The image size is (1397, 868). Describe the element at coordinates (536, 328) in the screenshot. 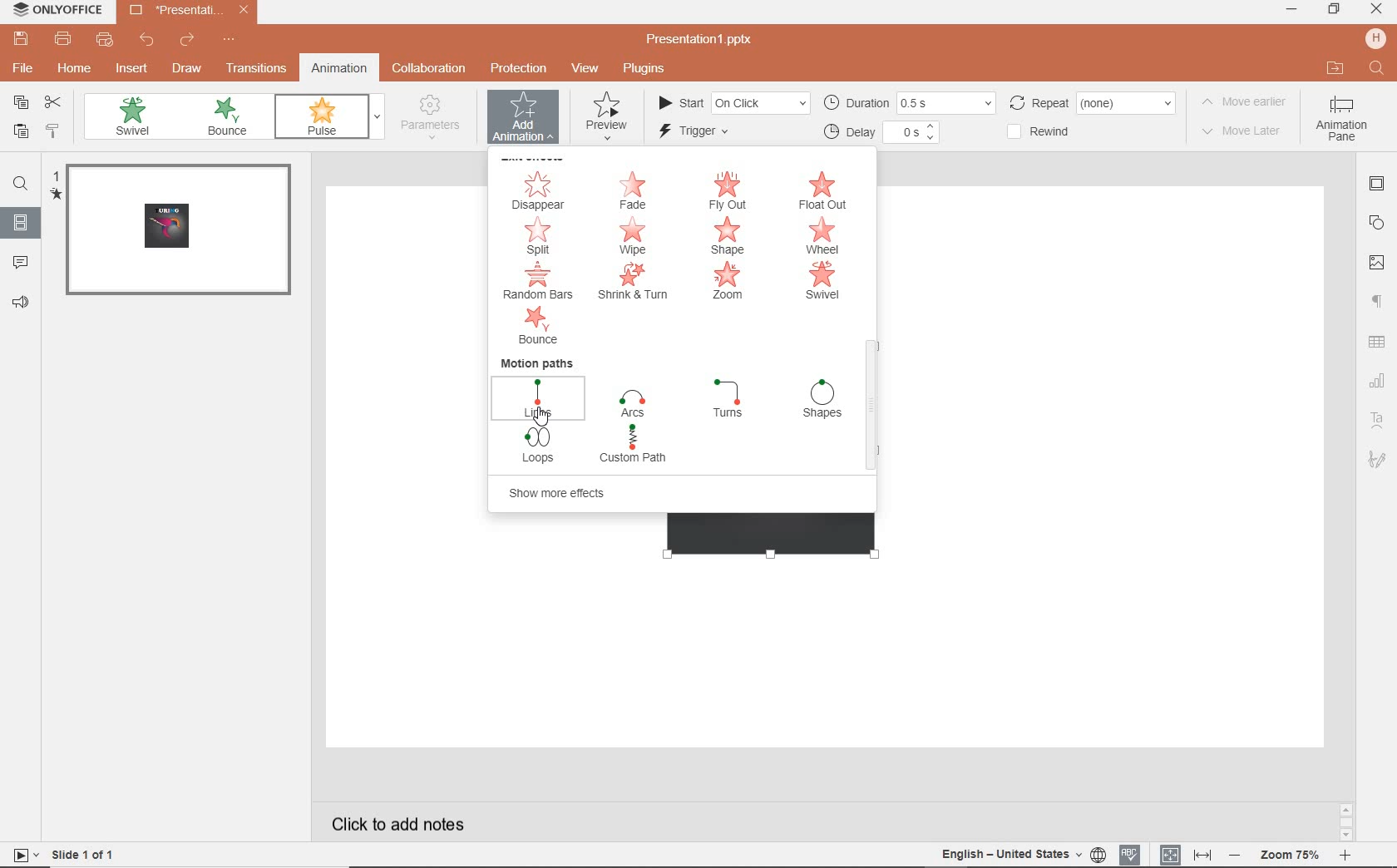

I see `bounce` at that location.